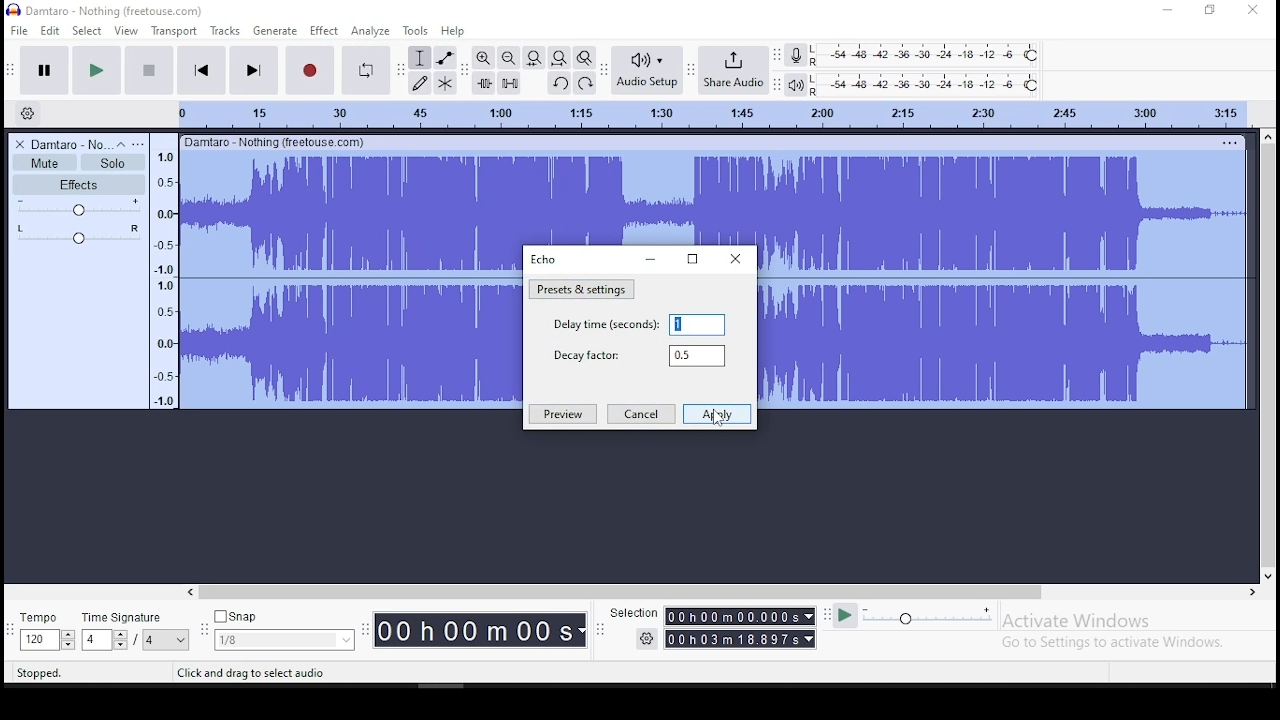 The height and width of the screenshot is (720, 1280). What do you see at coordinates (46, 69) in the screenshot?
I see `pause` at bounding box center [46, 69].